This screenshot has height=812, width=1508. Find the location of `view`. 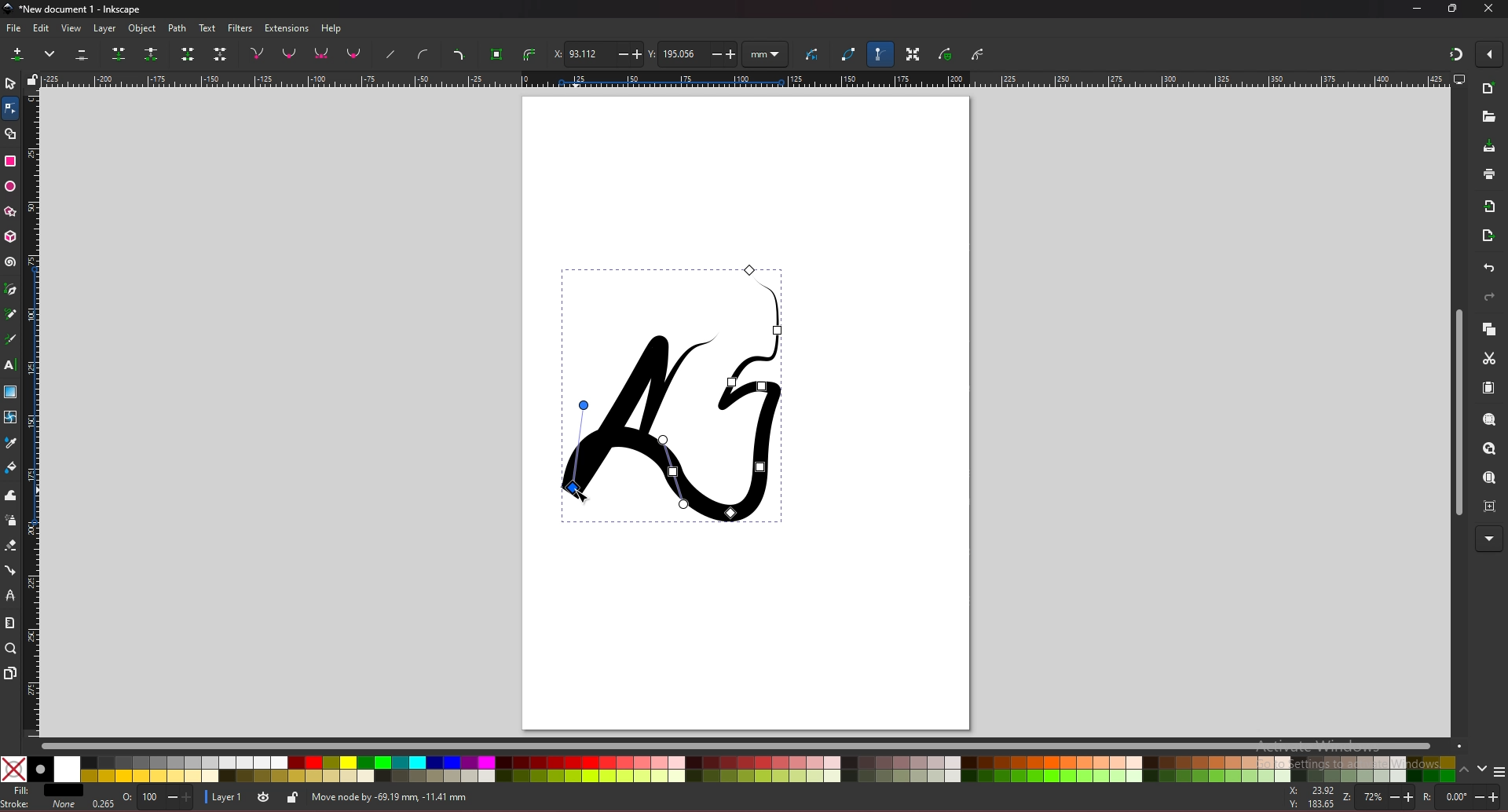

view is located at coordinates (71, 28).